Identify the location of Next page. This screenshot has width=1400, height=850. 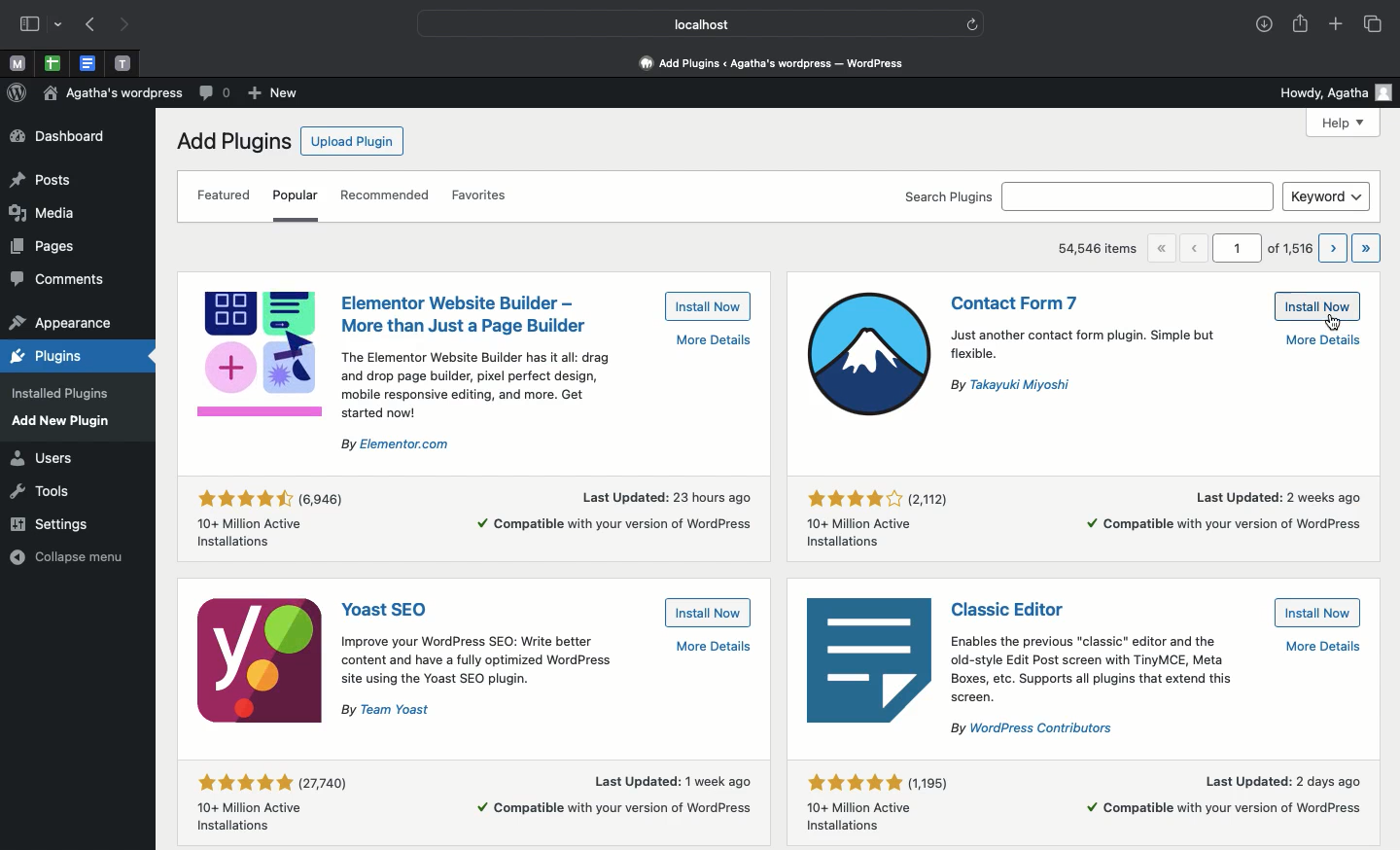
(1333, 248).